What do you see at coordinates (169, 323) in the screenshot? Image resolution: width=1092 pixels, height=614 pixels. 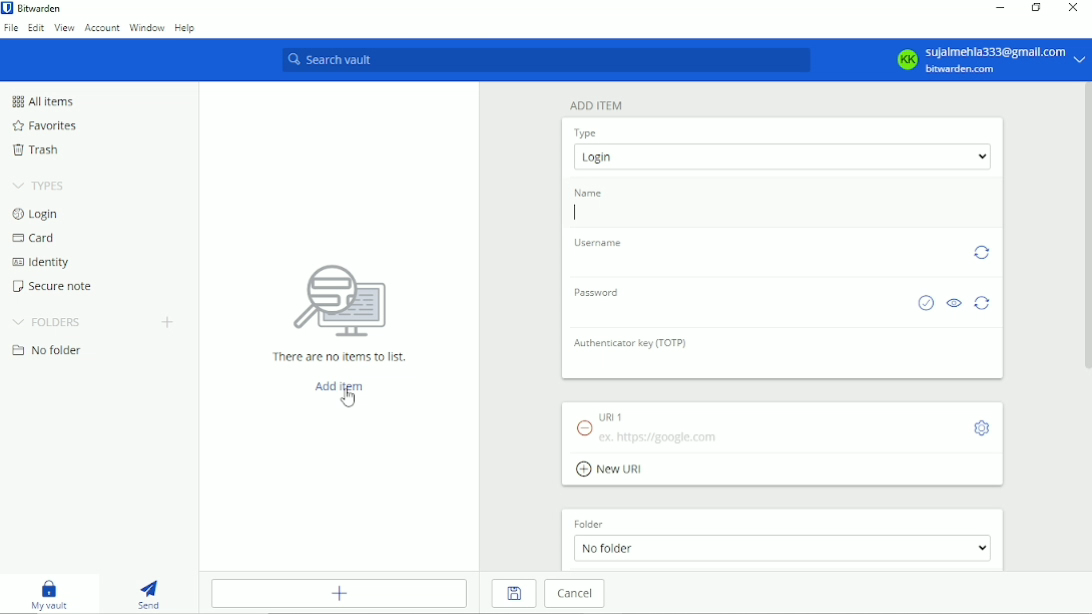 I see `Create folder` at bounding box center [169, 323].